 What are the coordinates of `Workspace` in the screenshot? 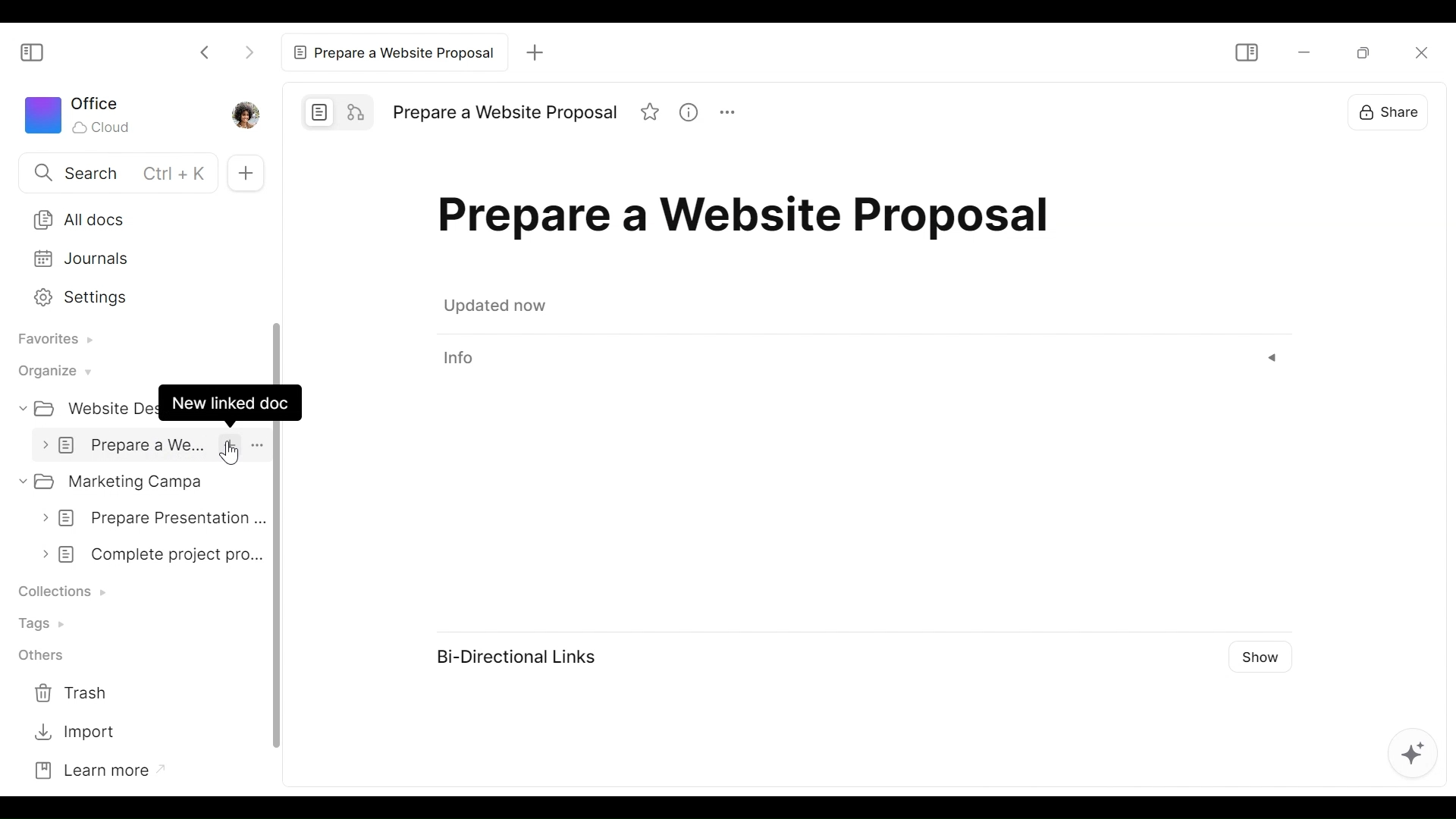 It's located at (78, 115).